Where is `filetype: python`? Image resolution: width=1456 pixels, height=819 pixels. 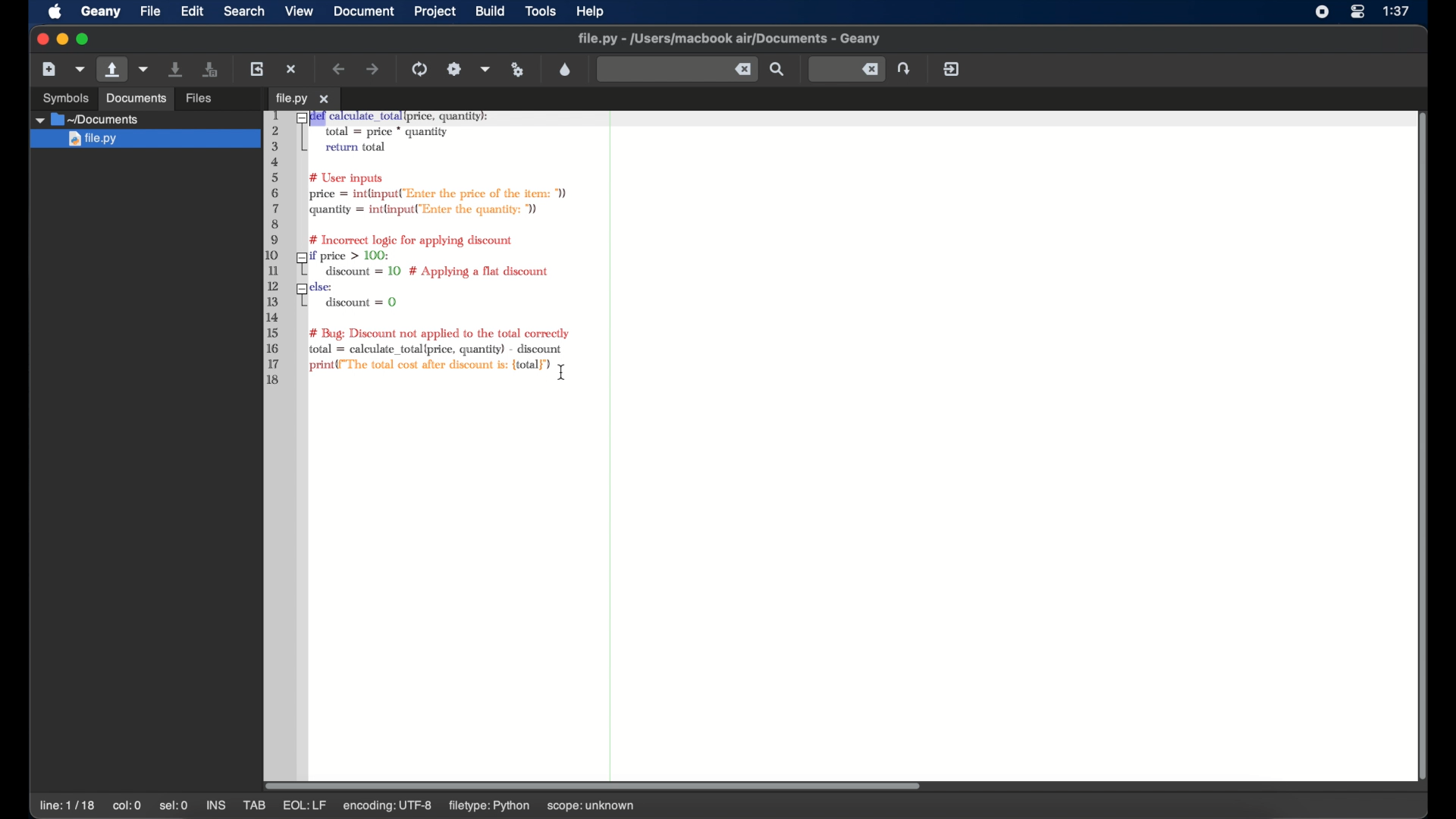
filetype: python is located at coordinates (491, 807).